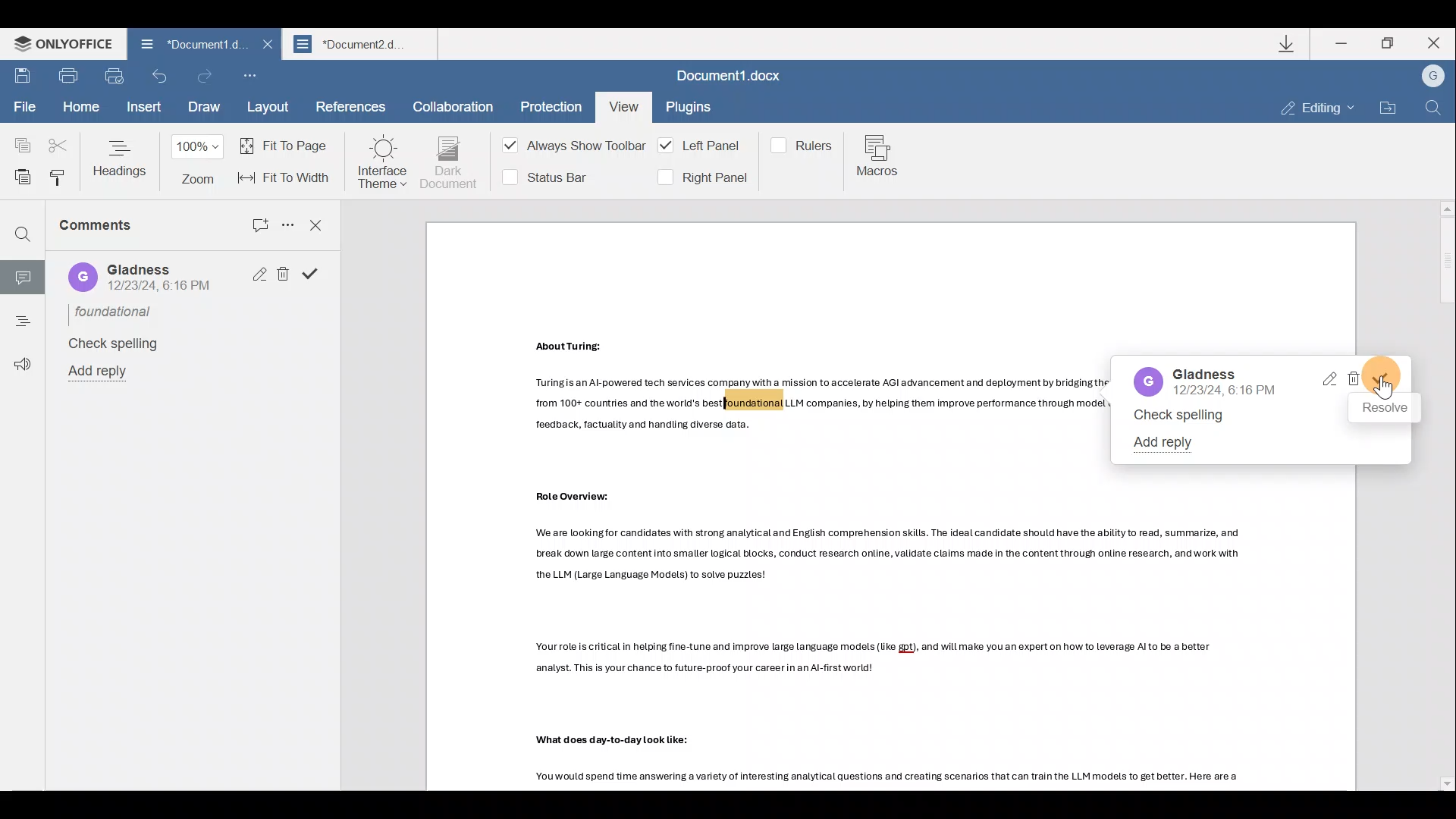  I want to click on Always show toolbar, so click(569, 149).